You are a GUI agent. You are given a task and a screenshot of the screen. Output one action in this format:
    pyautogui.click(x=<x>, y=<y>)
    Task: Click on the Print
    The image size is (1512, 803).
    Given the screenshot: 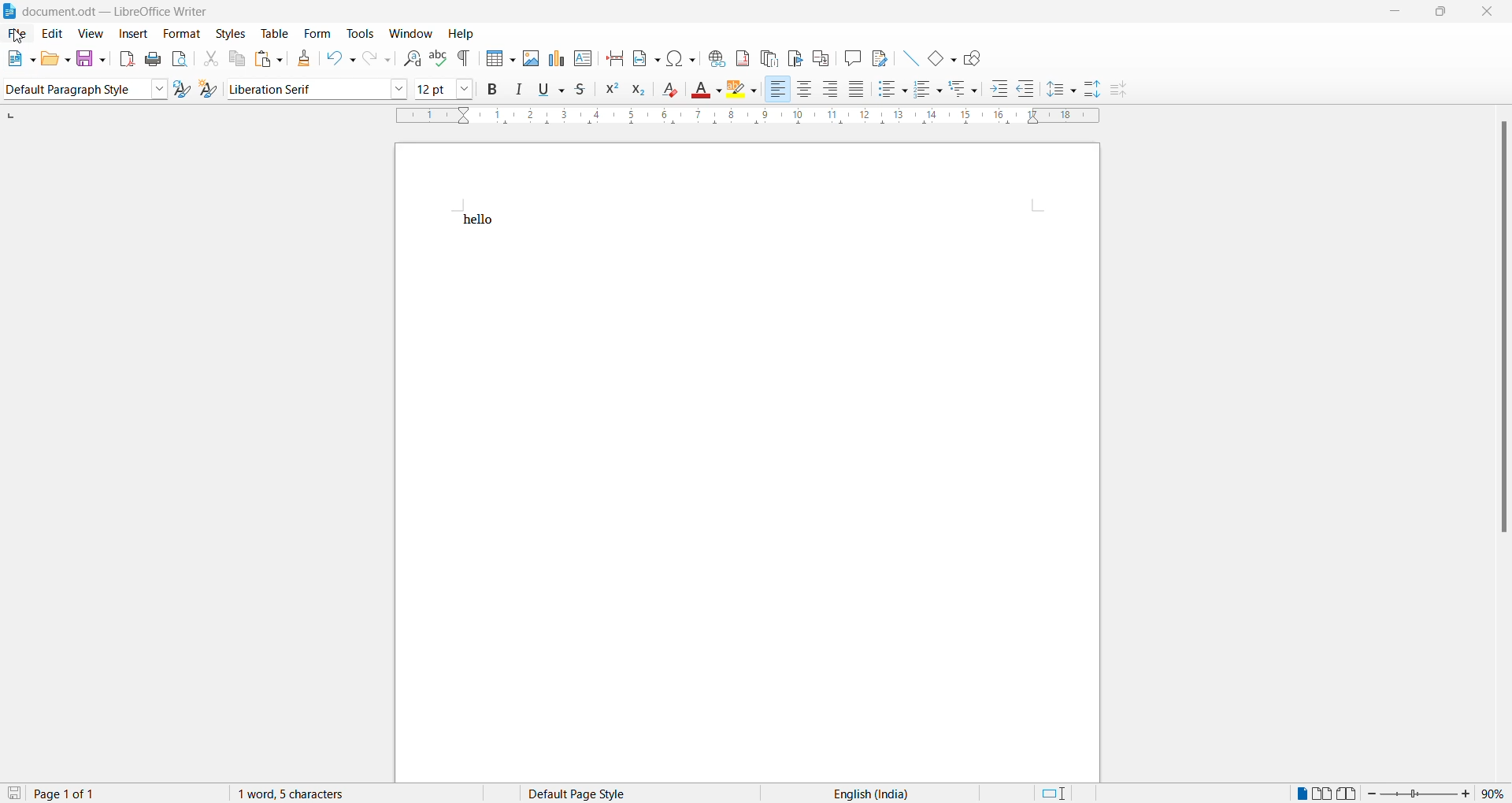 What is the action you would take?
    pyautogui.click(x=152, y=61)
    